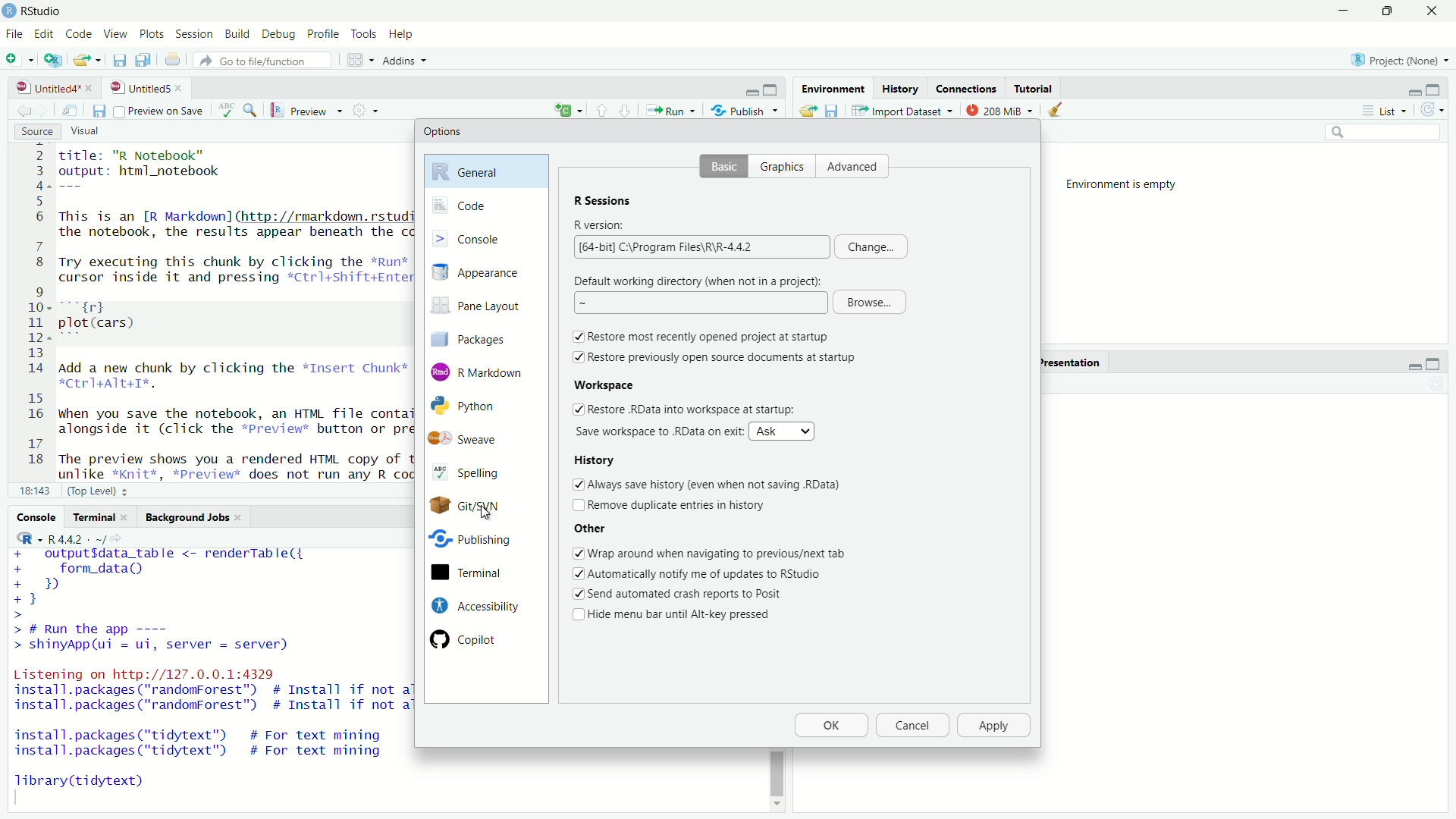  What do you see at coordinates (1385, 11) in the screenshot?
I see `maximise` at bounding box center [1385, 11].